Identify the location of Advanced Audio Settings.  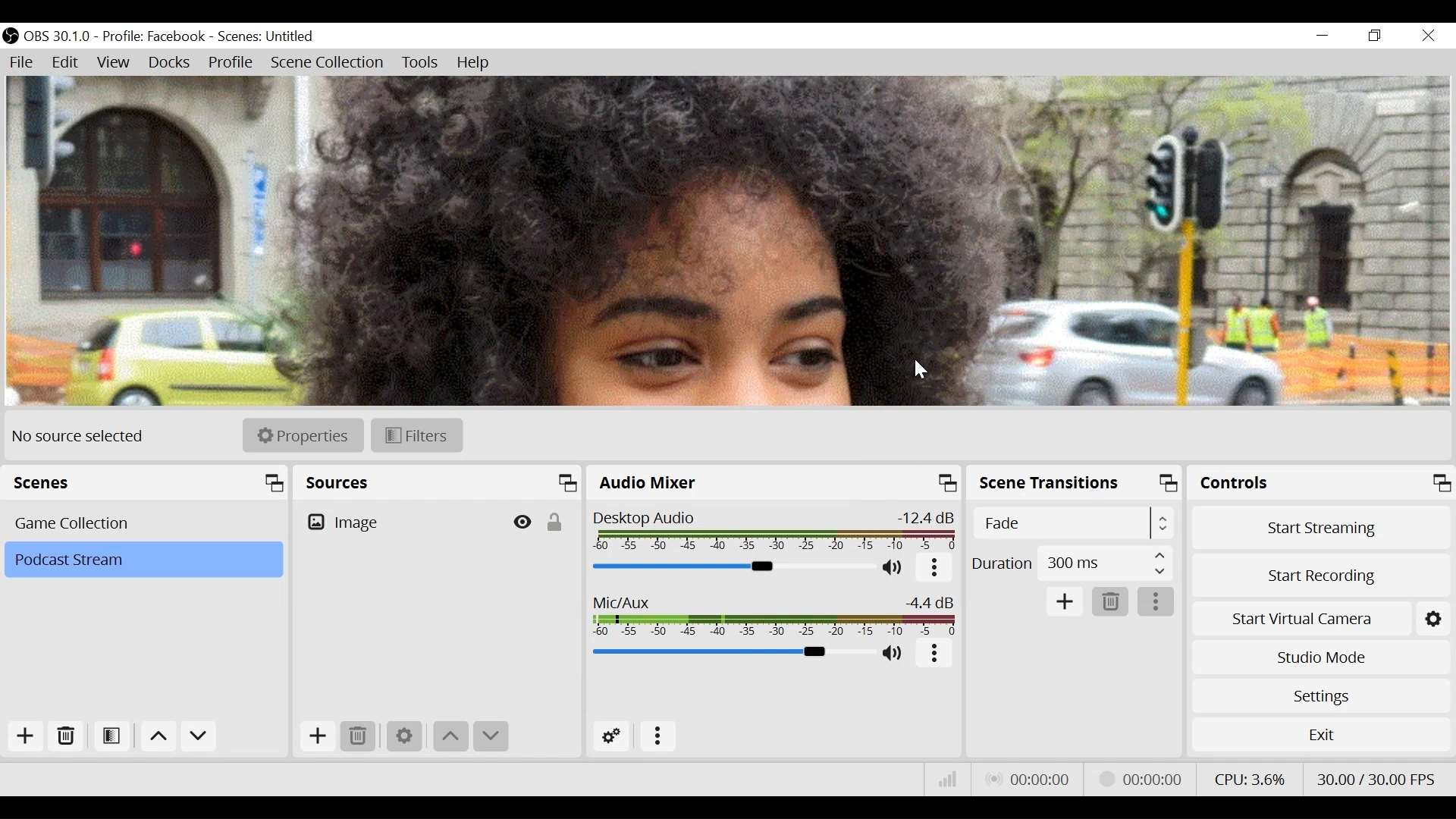
(613, 739).